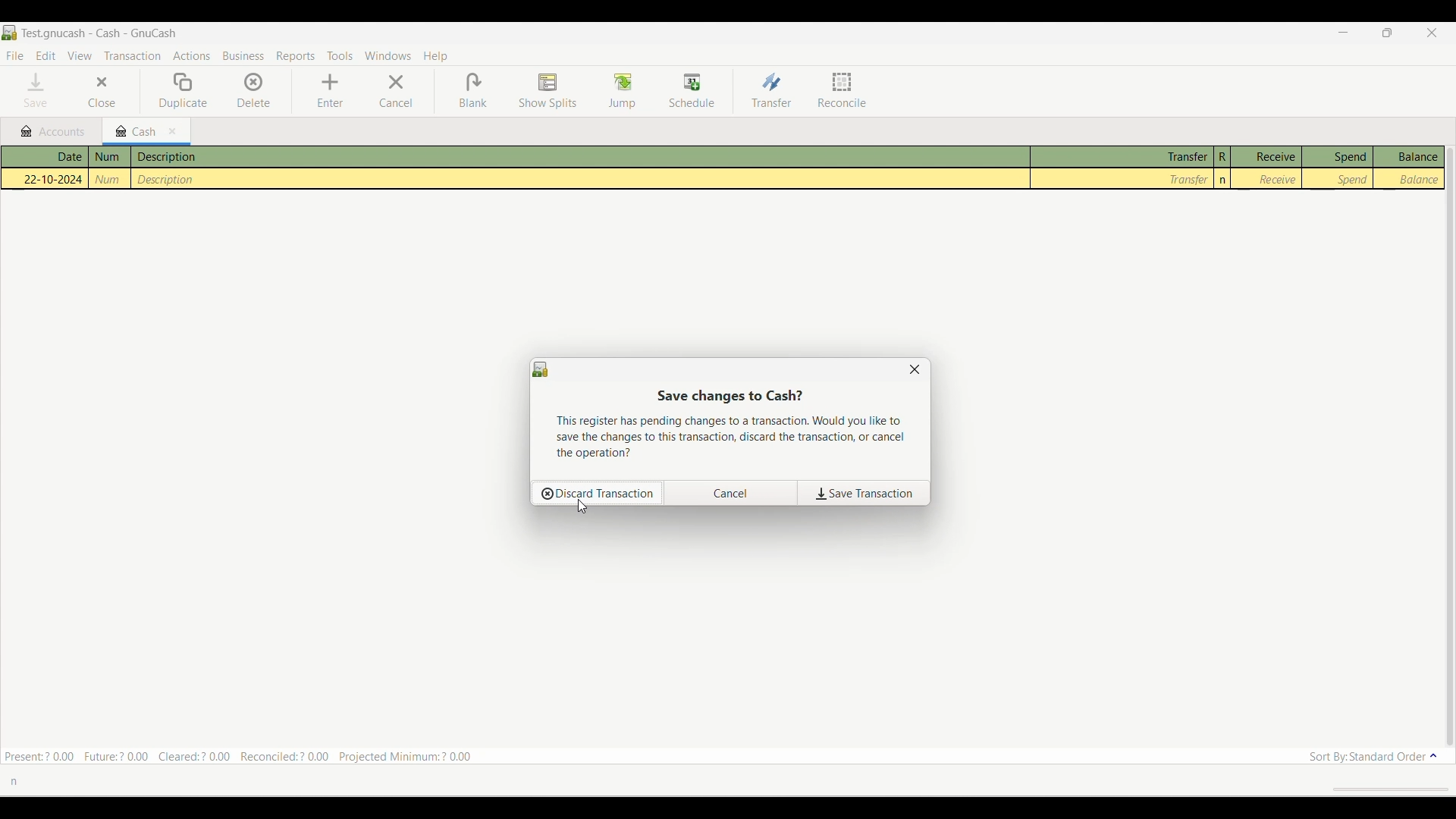 Image resolution: width=1456 pixels, height=819 pixels. What do you see at coordinates (731, 494) in the screenshot?
I see `Cancel` at bounding box center [731, 494].